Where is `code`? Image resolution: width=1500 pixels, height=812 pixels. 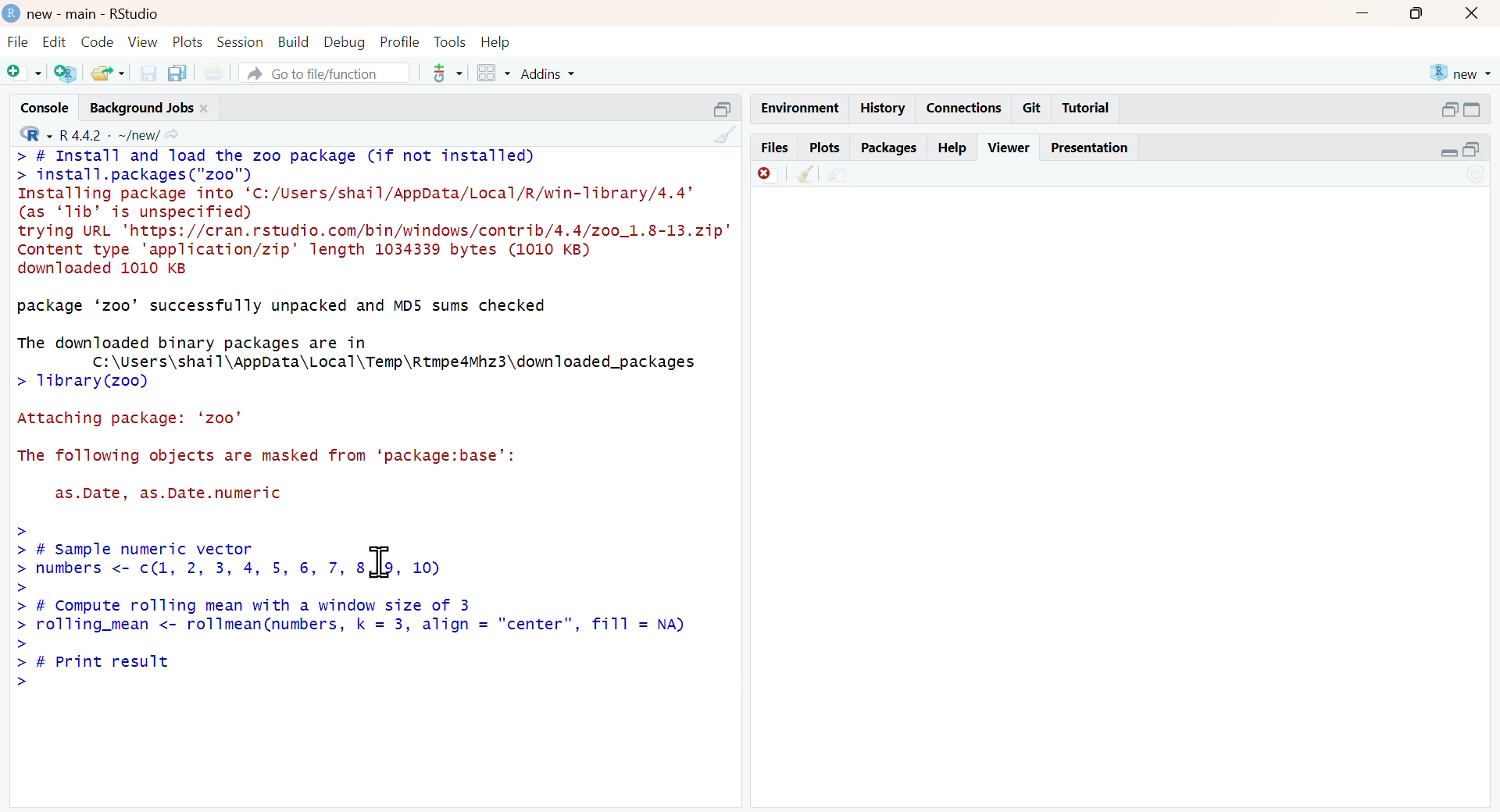
code is located at coordinates (97, 42).